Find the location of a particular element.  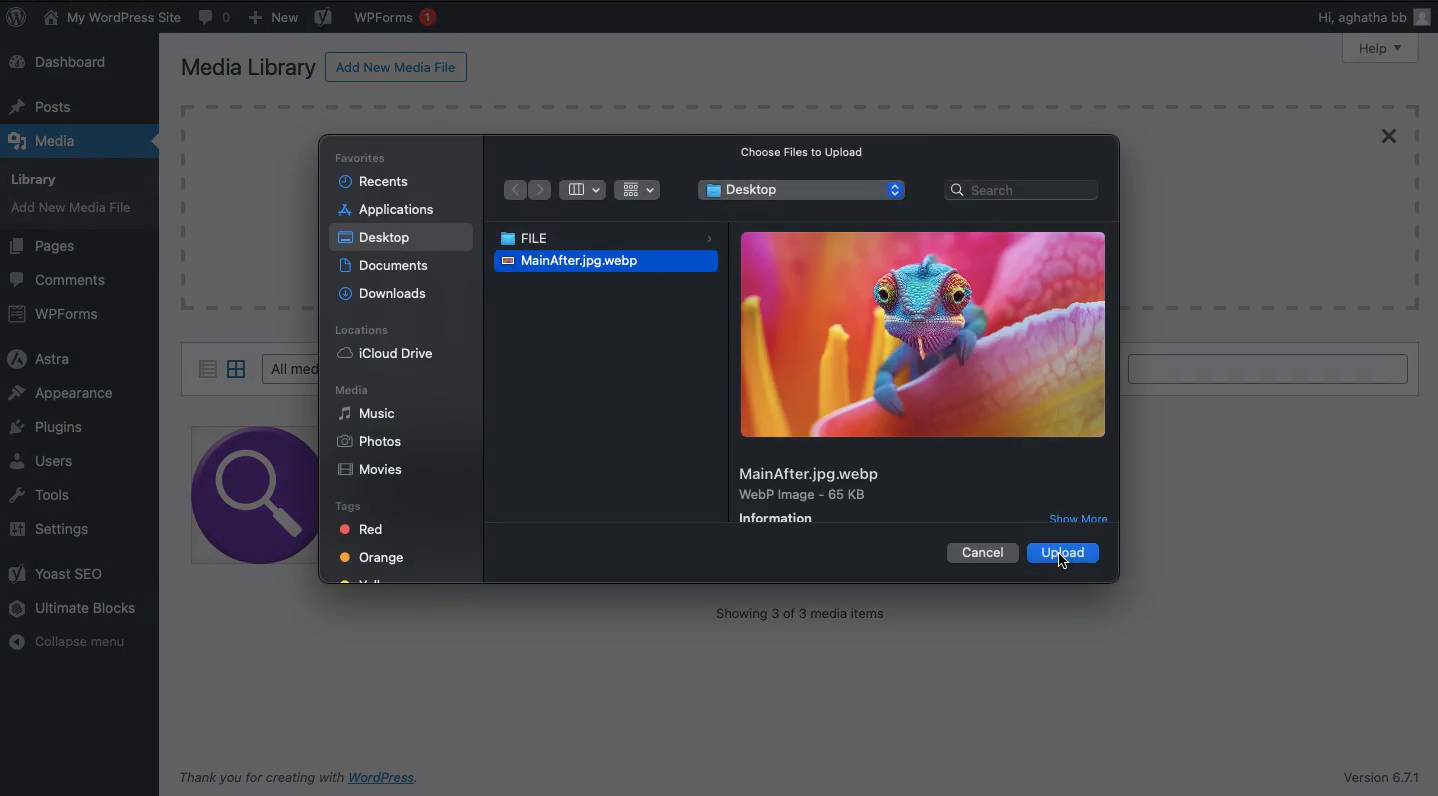

Plugins is located at coordinates (48, 427).